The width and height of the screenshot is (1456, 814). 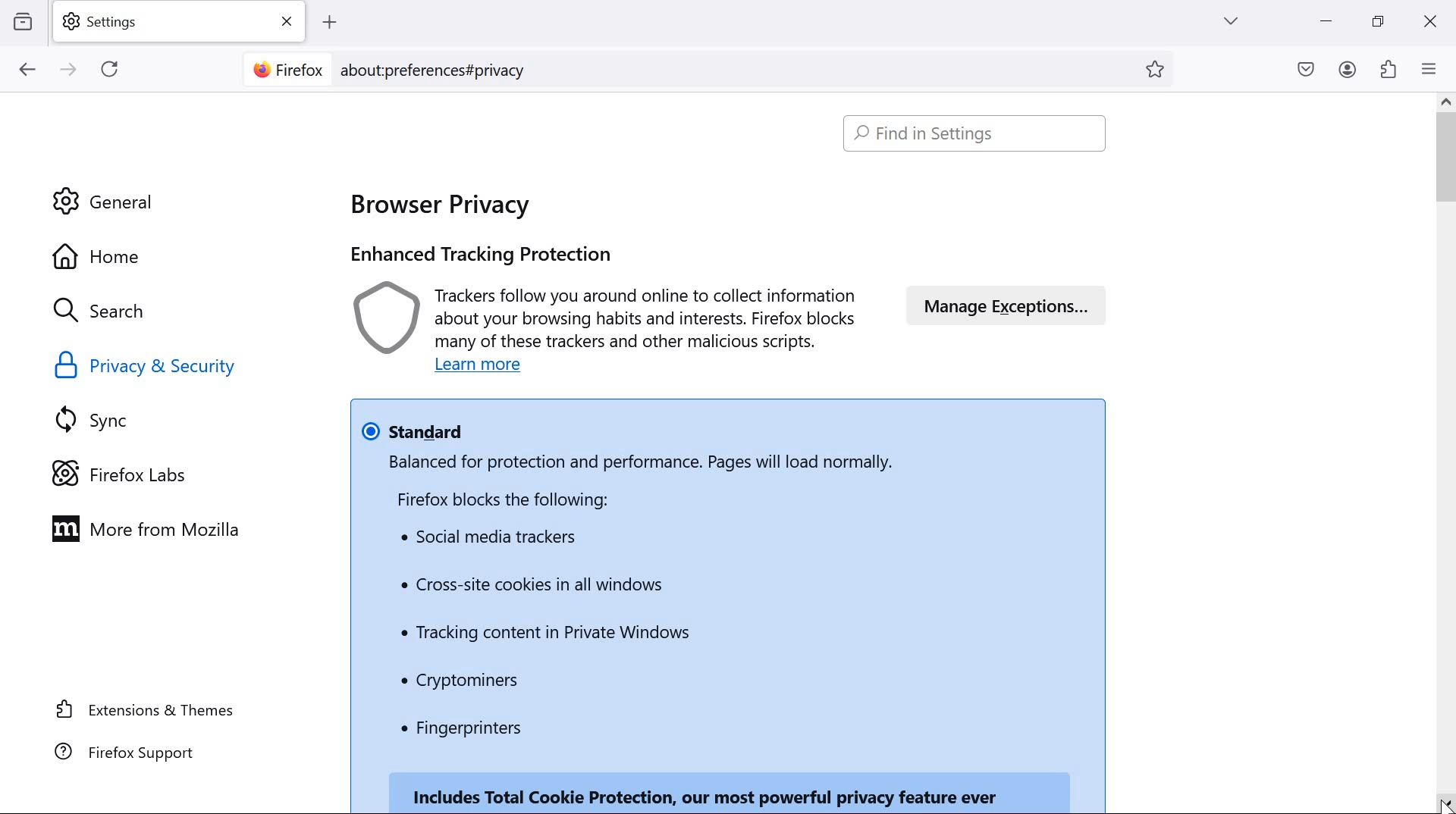 What do you see at coordinates (601, 318) in the screenshot?
I see `Trackers follow you around online to collect information
about your browsing habits and interests. Firefox blocks
many of these trackers and other malicious scripts.` at bounding box center [601, 318].